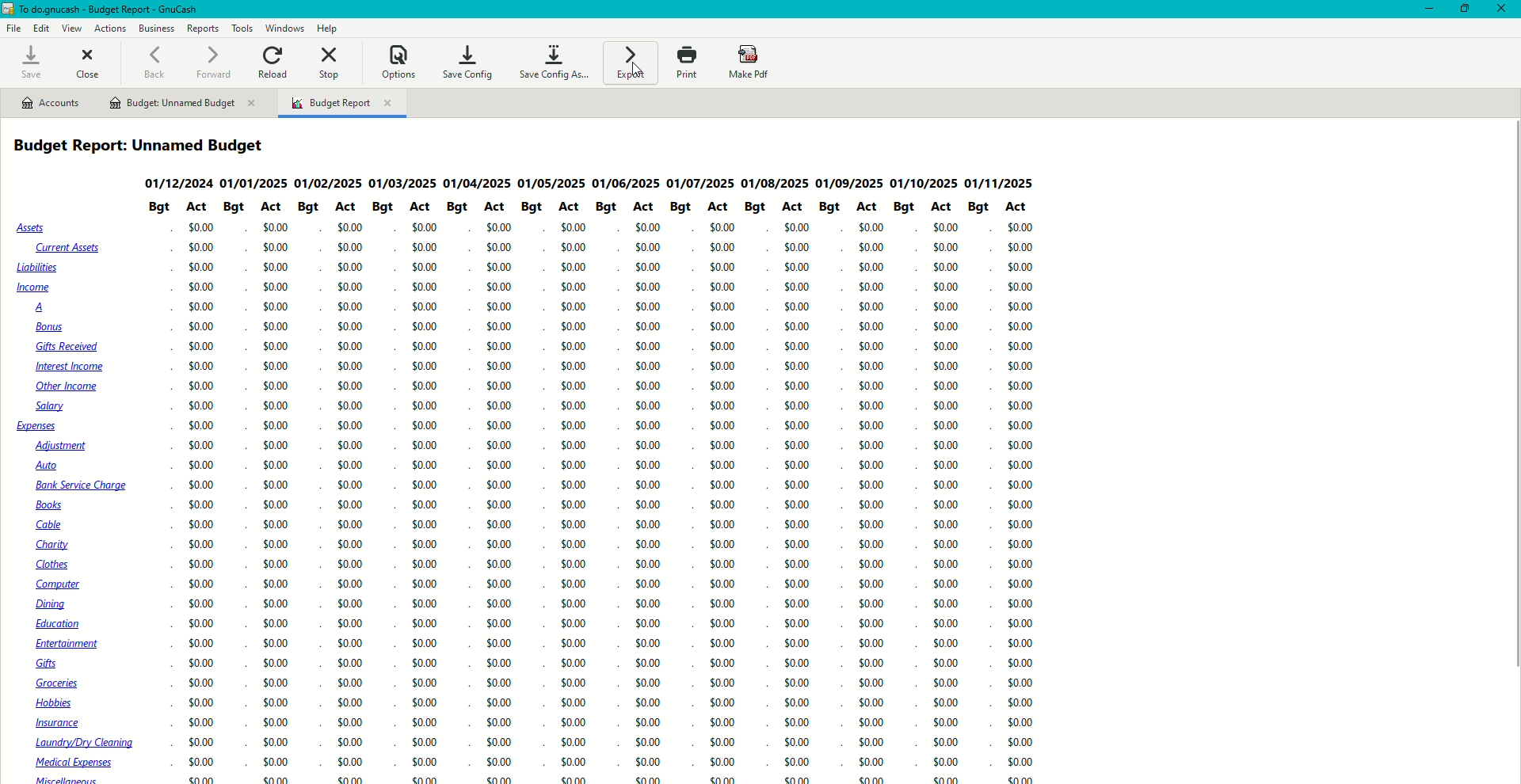  Describe the element at coordinates (349, 484) in the screenshot. I see `$0.00` at that location.